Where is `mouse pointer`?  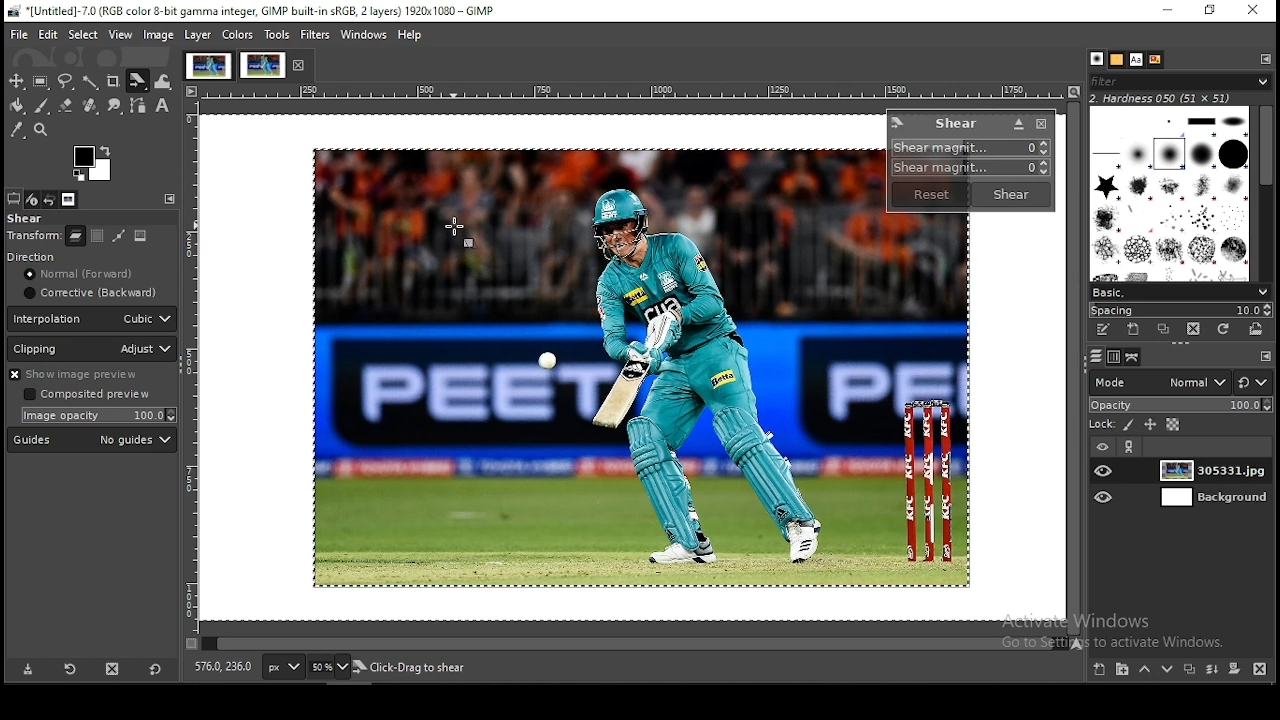
mouse pointer is located at coordinates (455, 228).